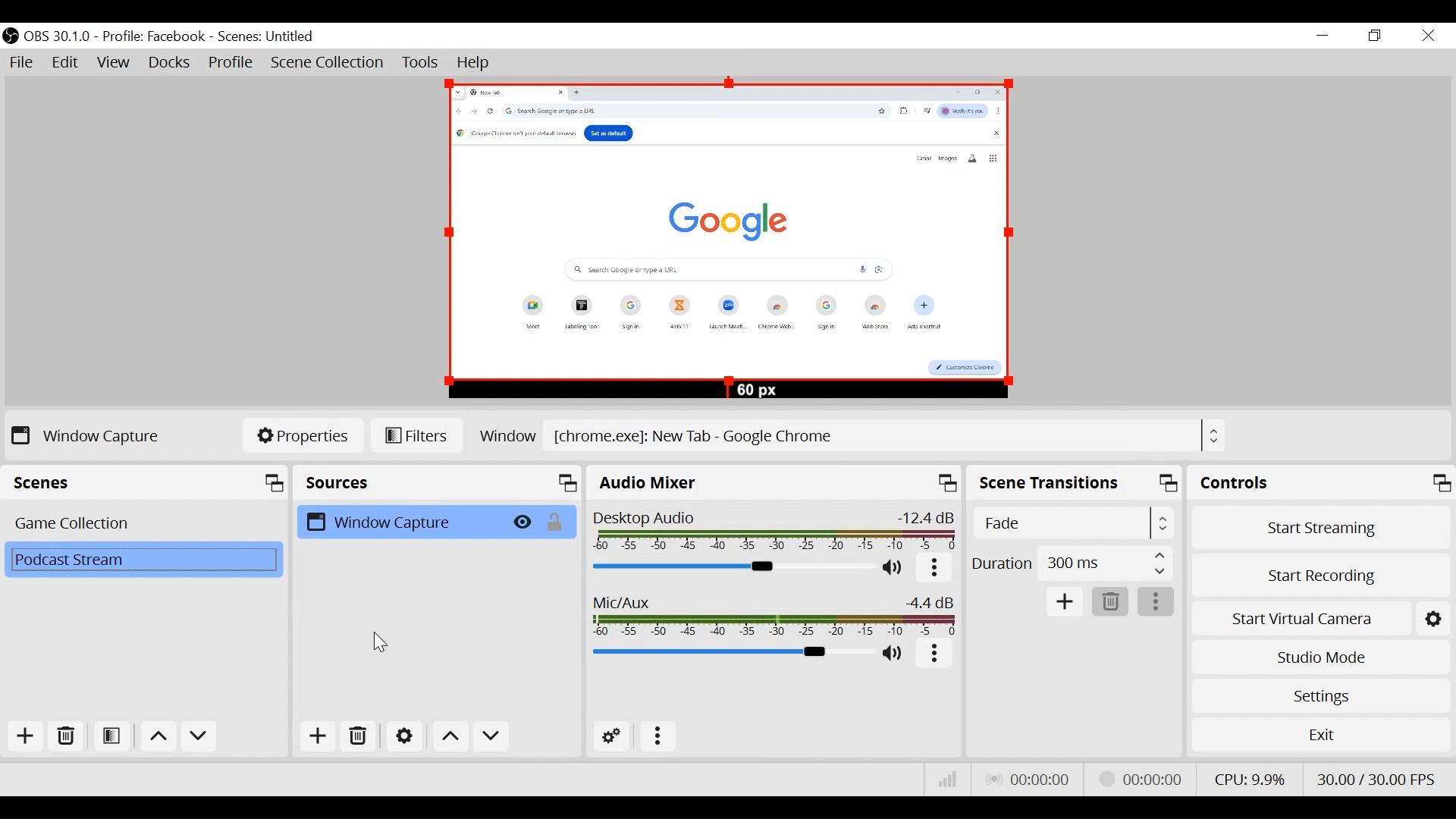 This screenshot has width=1456, height=819. I want to click on Remove, so click(358, 737).